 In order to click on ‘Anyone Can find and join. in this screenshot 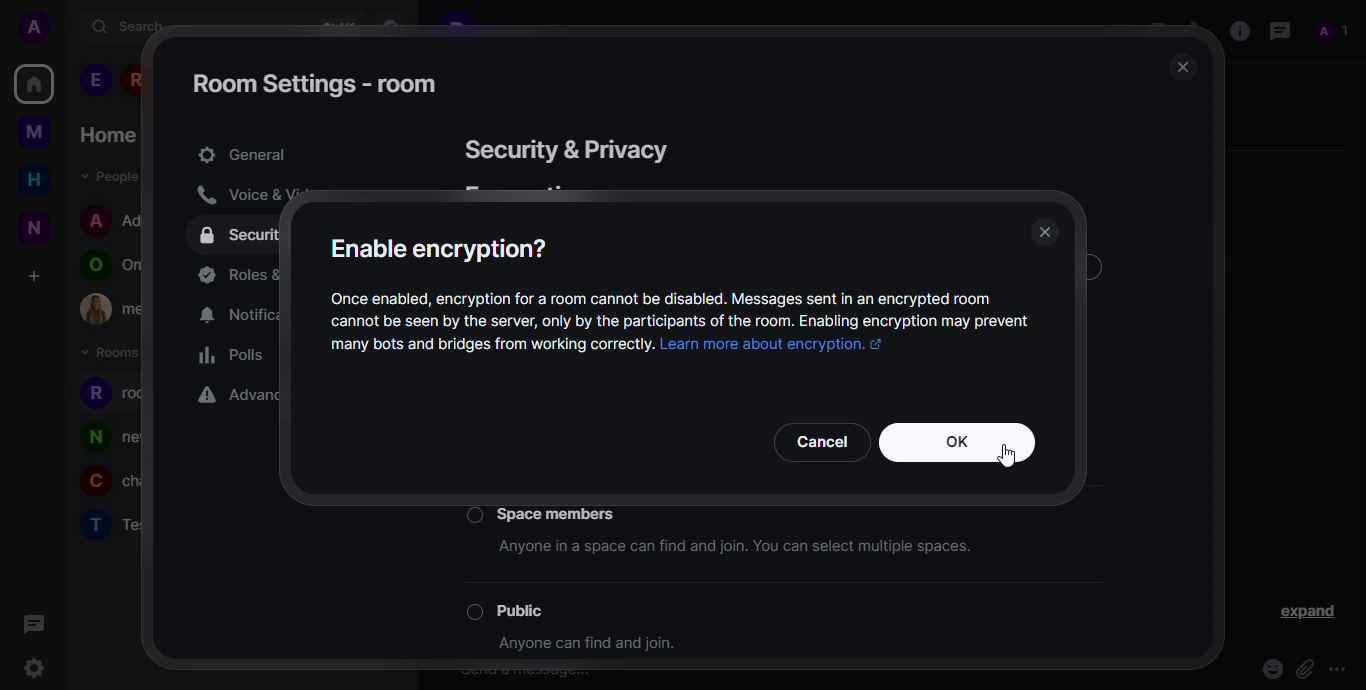, I will do `click(592, 647)`.